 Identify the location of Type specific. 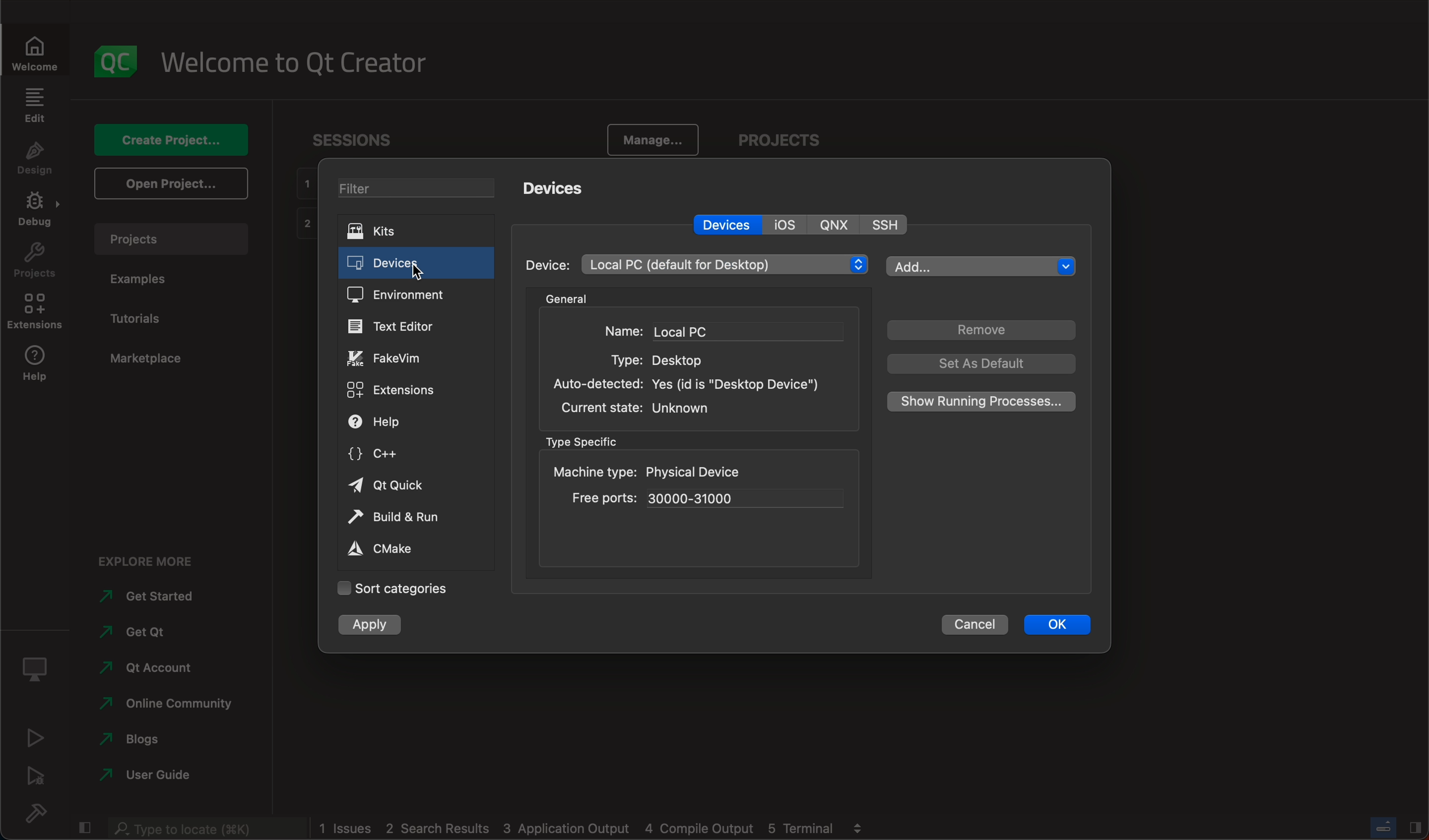
(585, 442).